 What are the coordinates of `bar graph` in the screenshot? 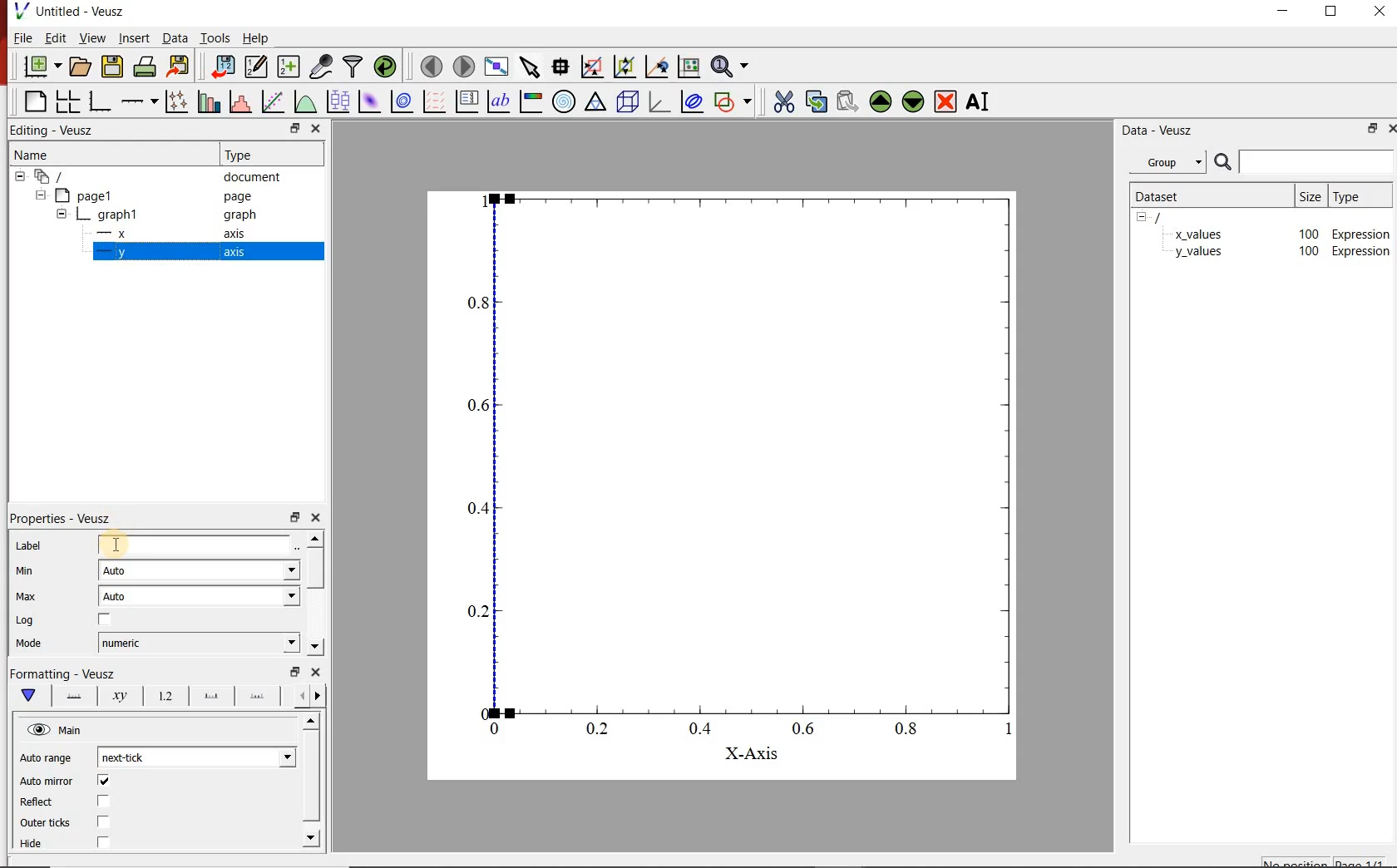 It's located at (100, 103).